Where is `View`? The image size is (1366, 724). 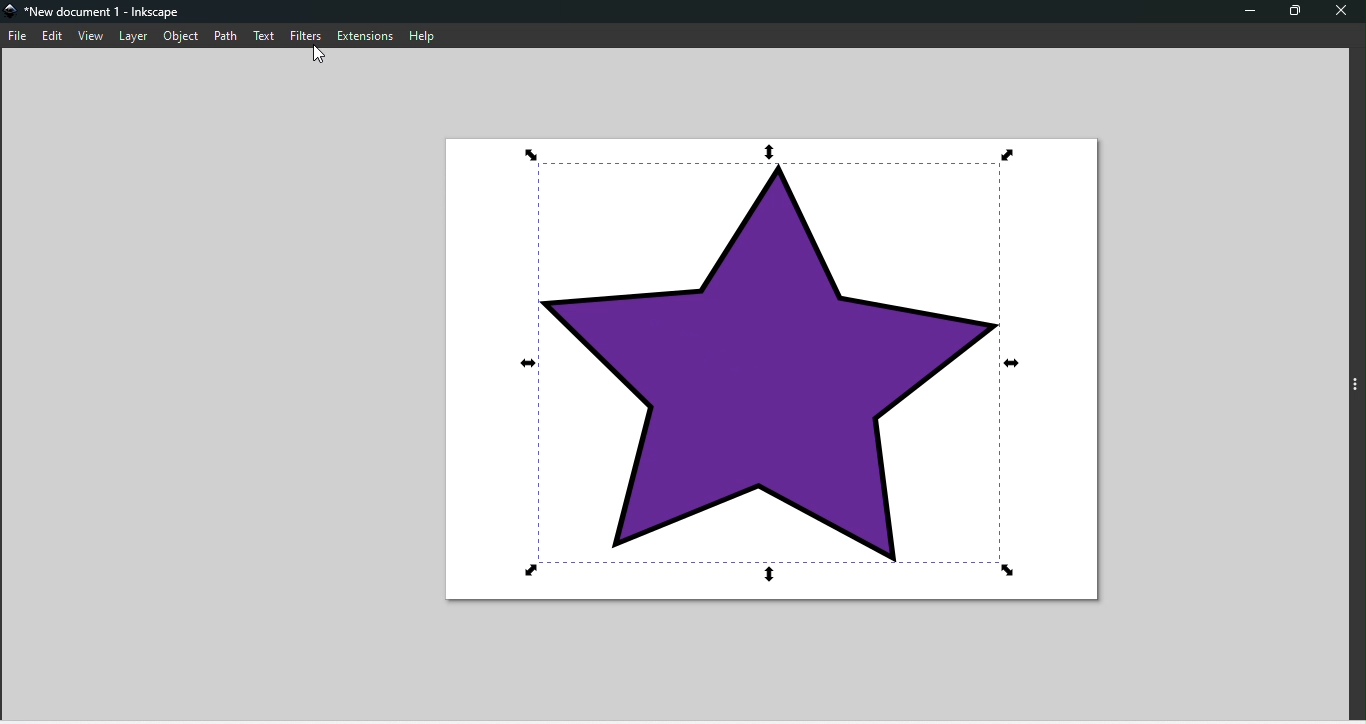
View is located at coordinates (95, 36).